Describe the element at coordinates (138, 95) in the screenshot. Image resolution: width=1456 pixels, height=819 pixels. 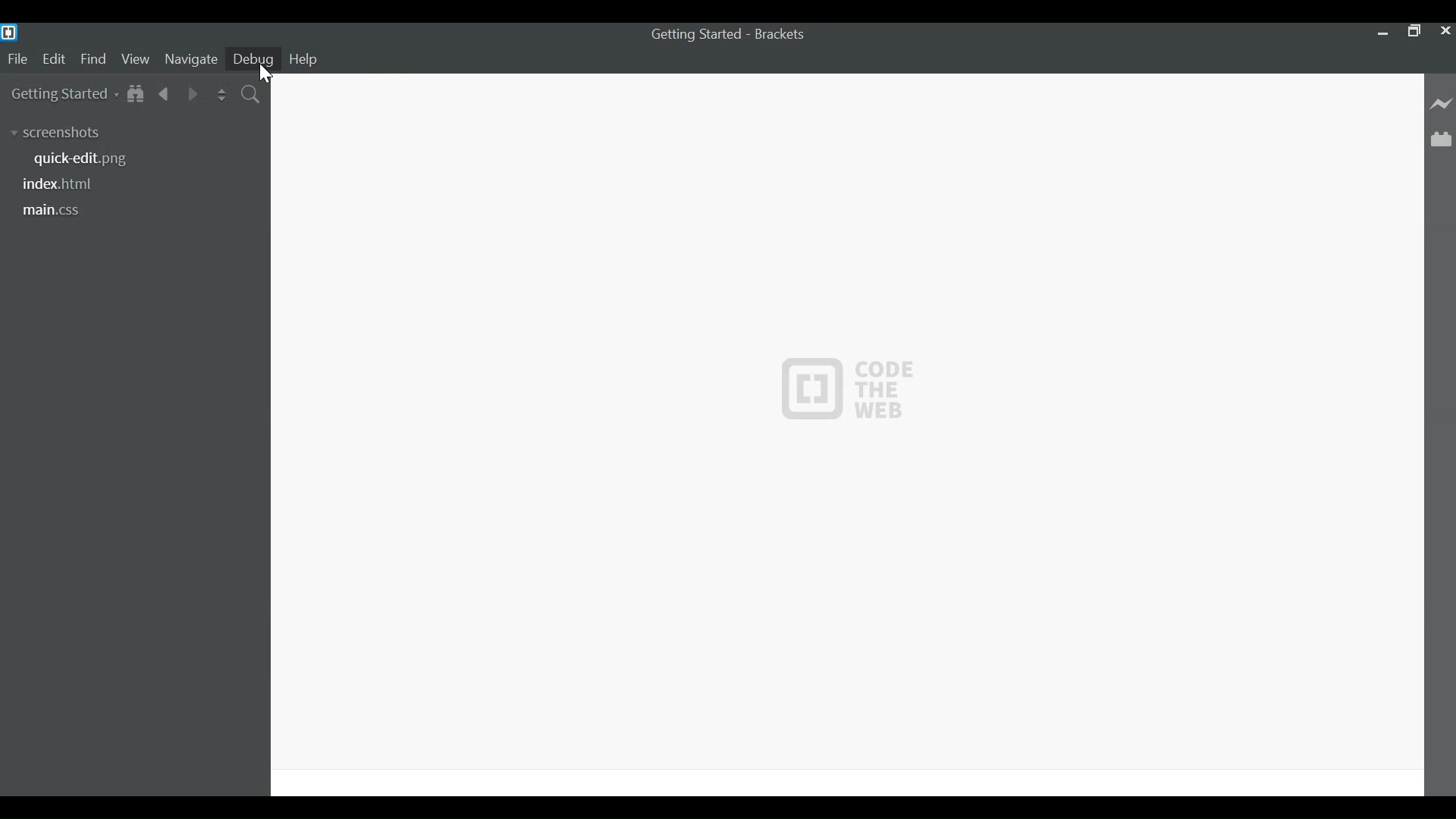
I see `Show in File Tree` at that location.